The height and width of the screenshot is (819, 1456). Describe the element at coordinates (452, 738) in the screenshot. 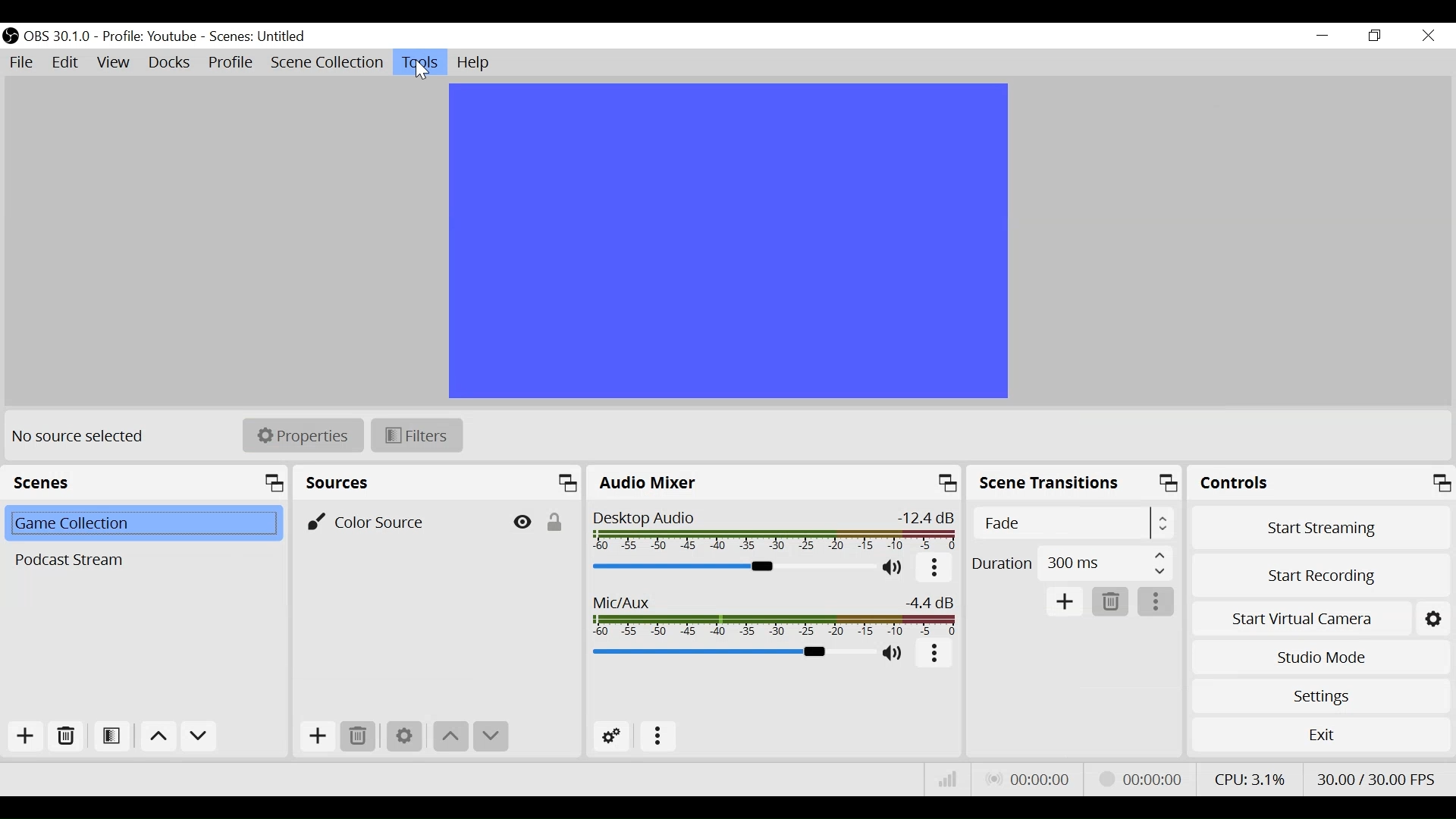

I see `move up` at that location.